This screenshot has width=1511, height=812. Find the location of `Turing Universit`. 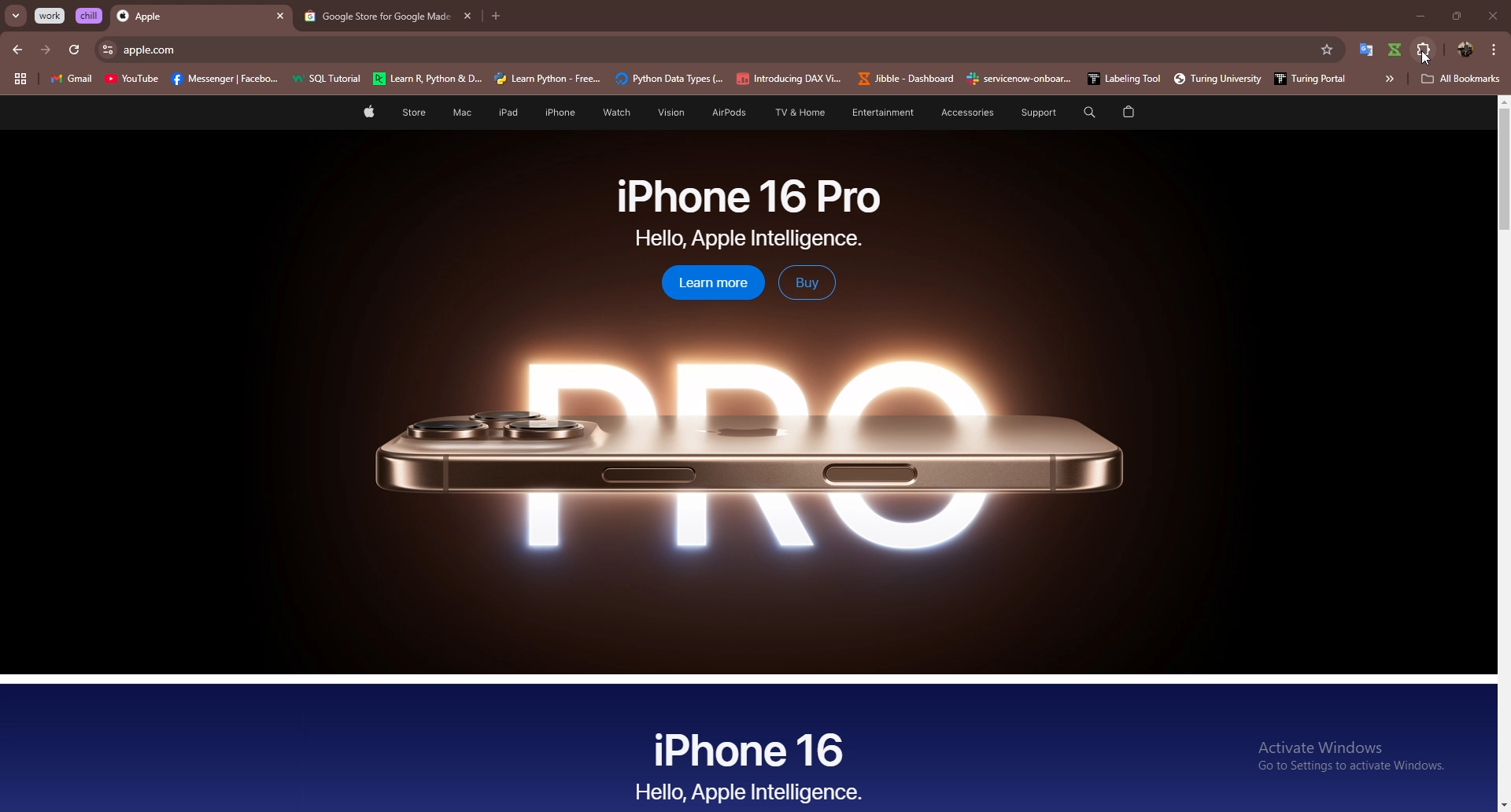

Turing Universit is located at coordinates (1211, 79).